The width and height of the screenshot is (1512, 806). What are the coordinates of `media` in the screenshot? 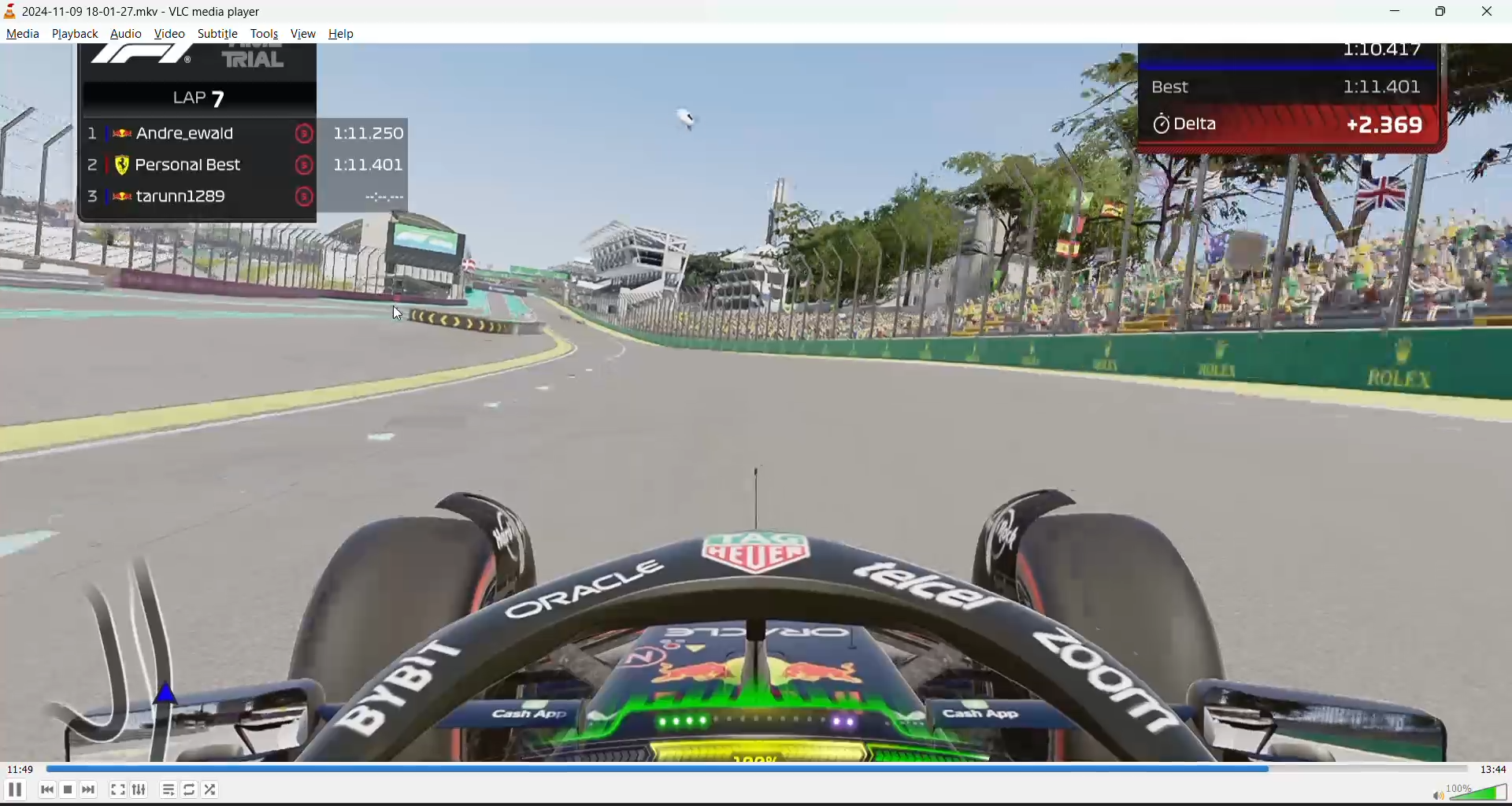 It's located at (22, 35).